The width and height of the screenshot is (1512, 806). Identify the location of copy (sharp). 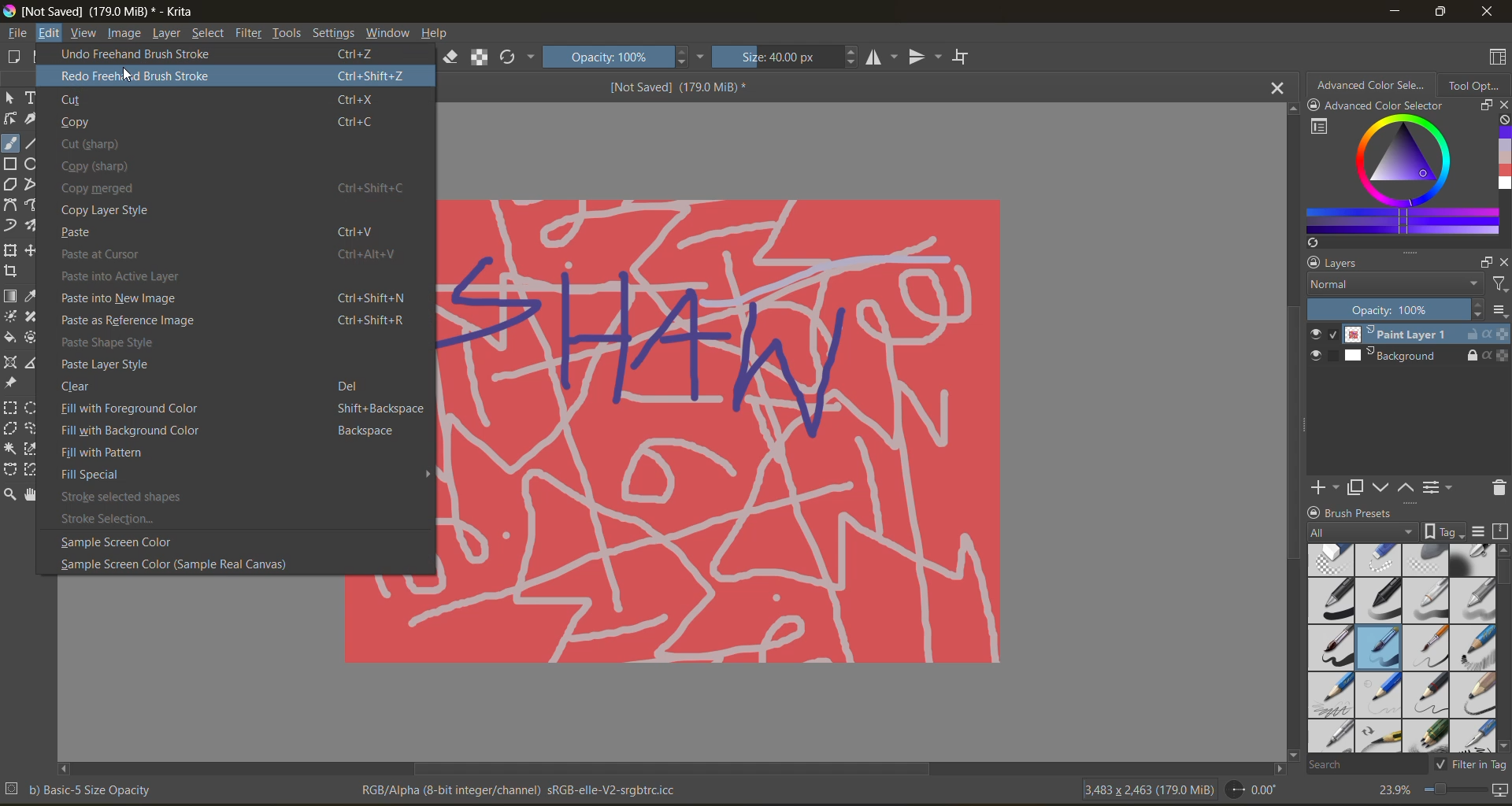
(109, 166).